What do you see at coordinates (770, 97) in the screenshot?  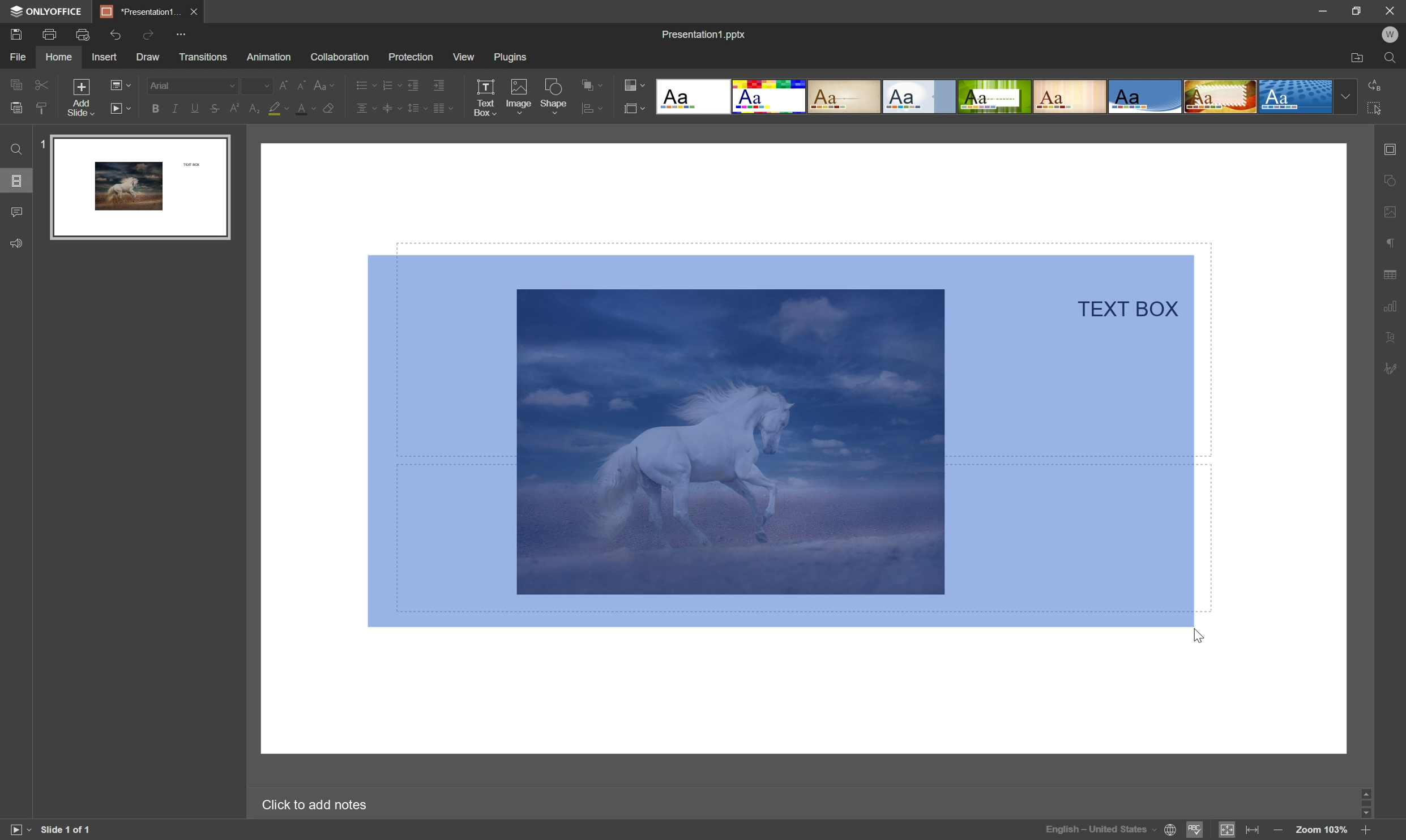 I see `Basic` at bounding box center [770, 97].